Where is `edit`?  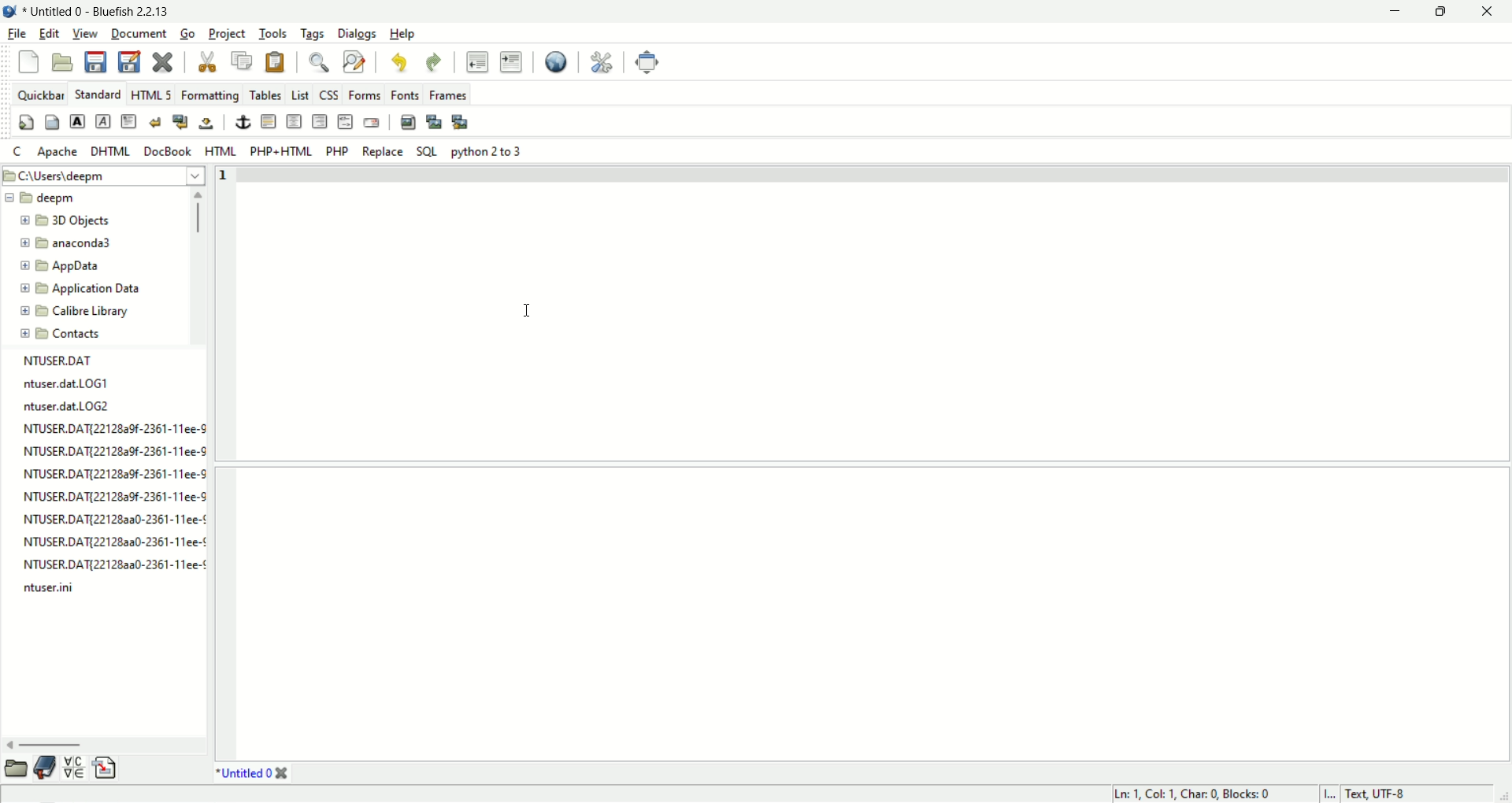
edit is located at coordinates (49, 35).